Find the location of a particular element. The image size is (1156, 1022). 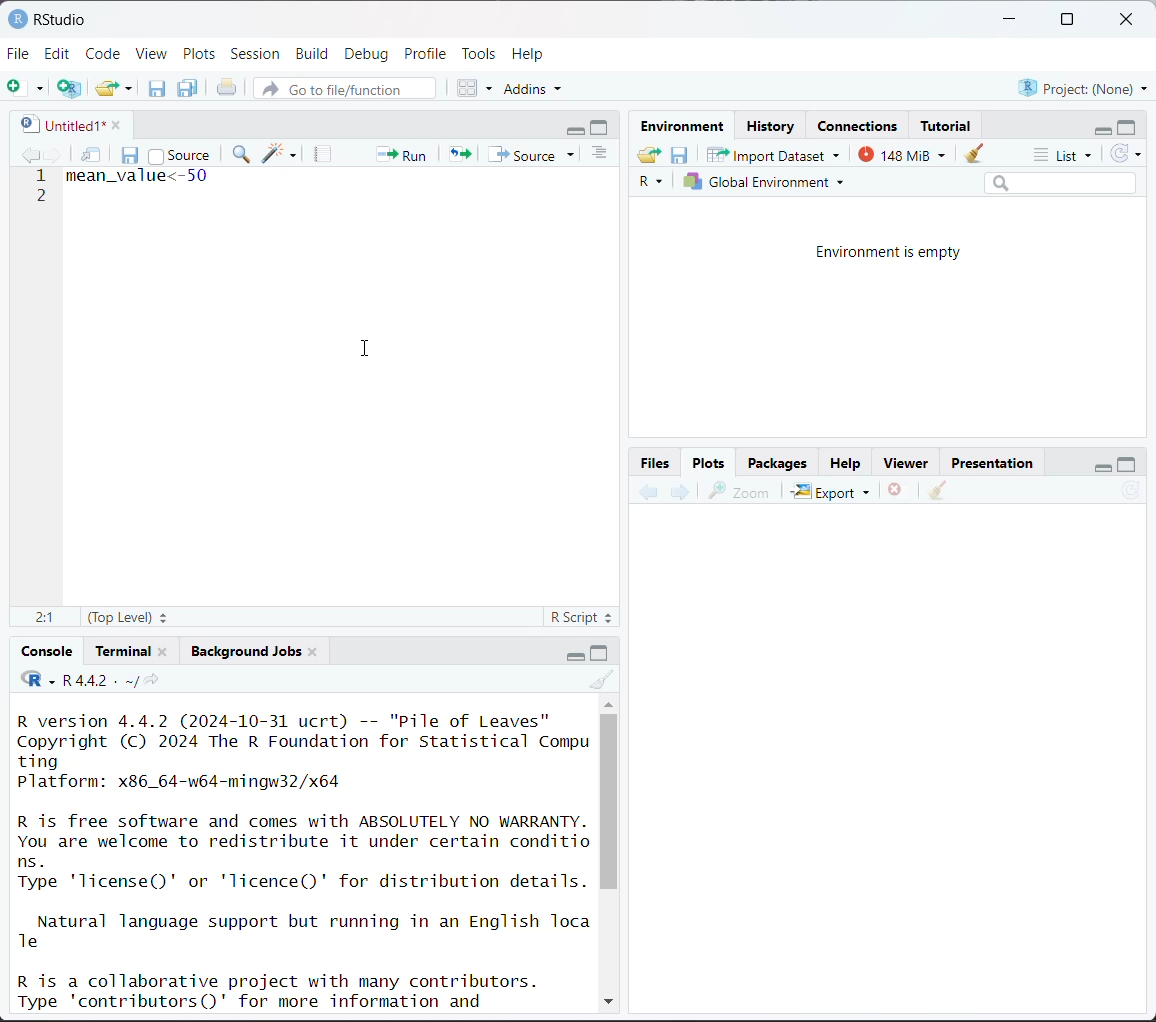

create a project is located at coordinates (69, 88).